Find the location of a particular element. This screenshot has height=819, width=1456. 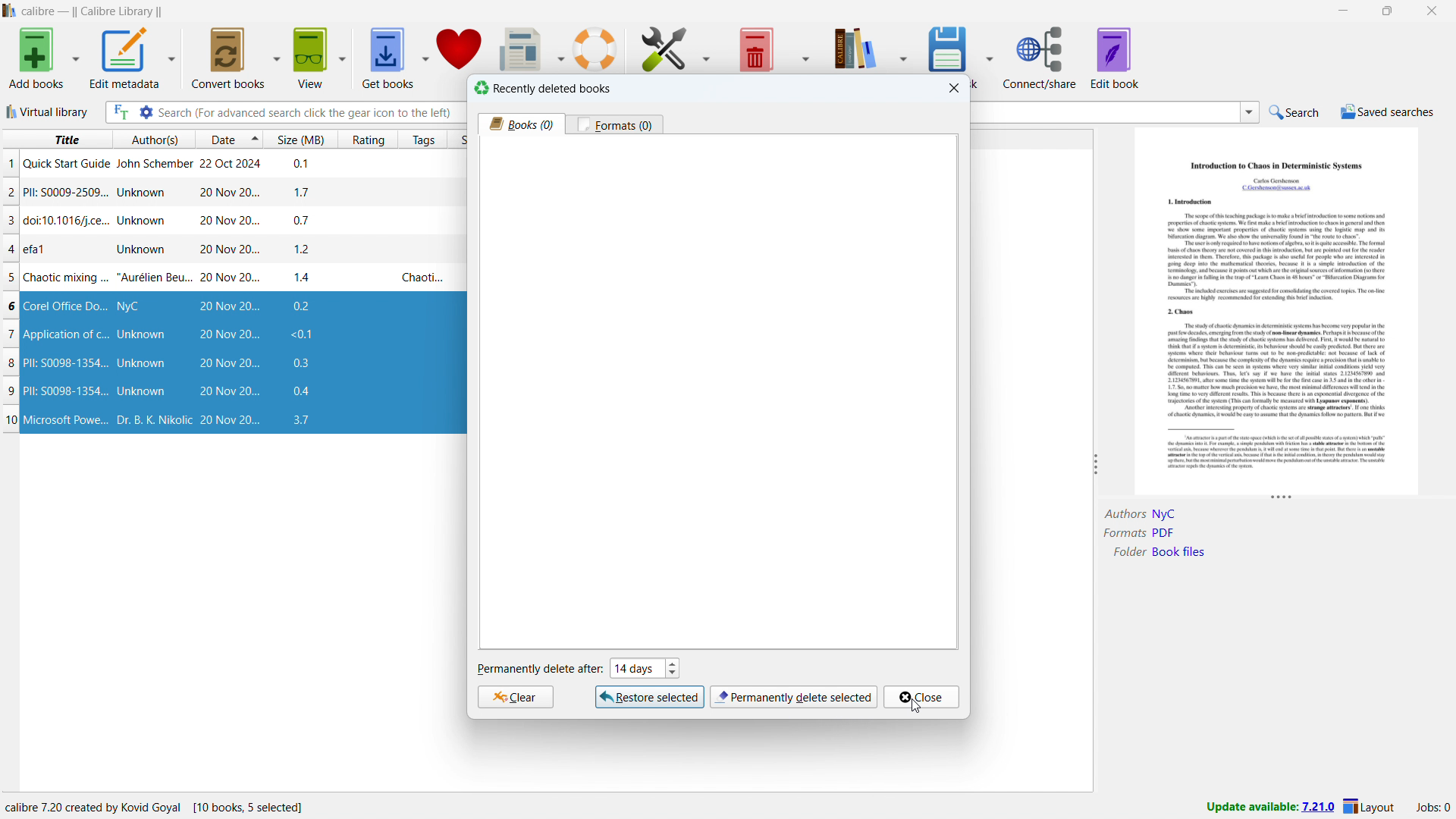

save to disk is located at coordinates (949, 47).